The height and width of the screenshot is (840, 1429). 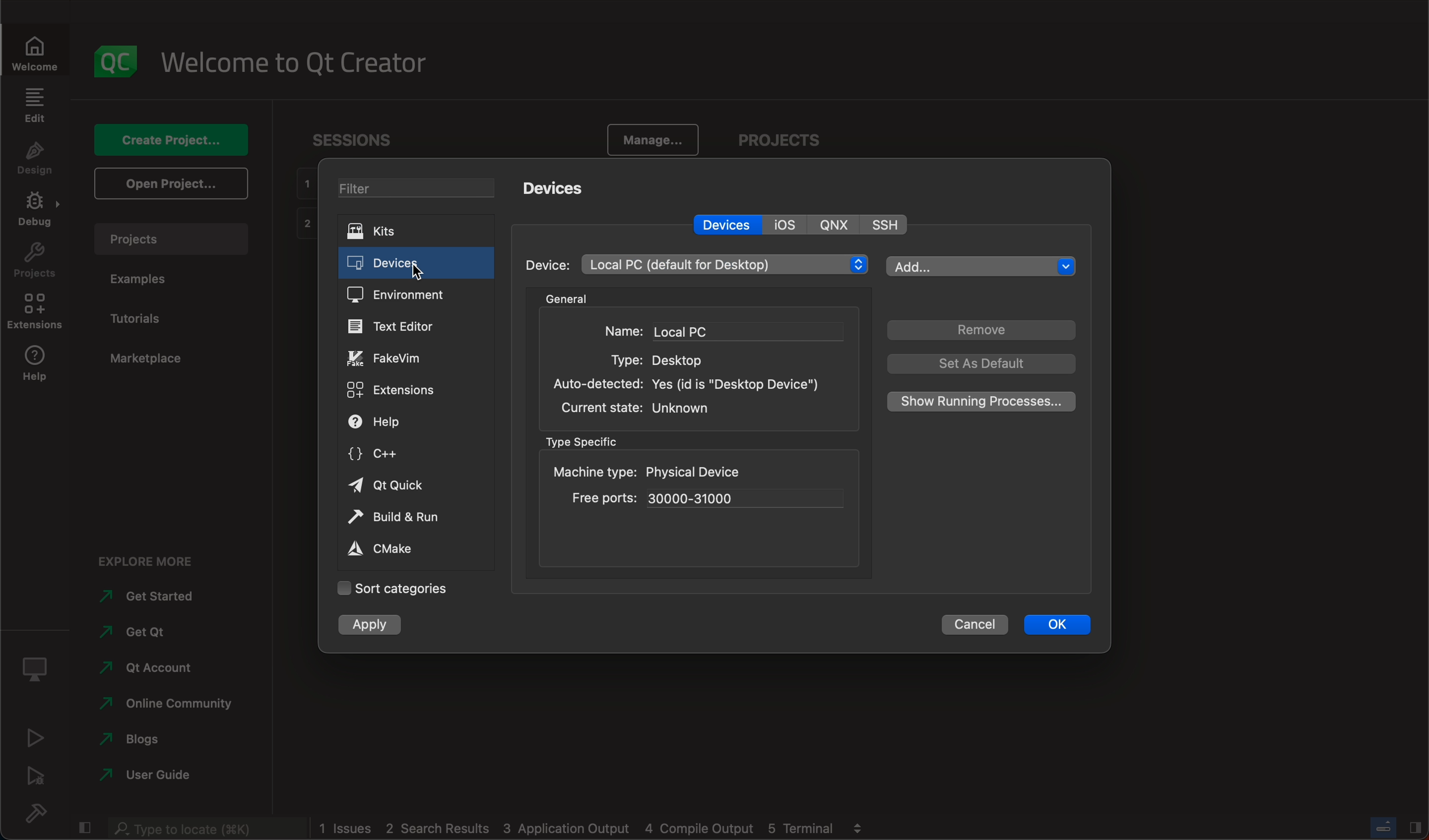 I want to click on CMake, so click(x=389, y=550).